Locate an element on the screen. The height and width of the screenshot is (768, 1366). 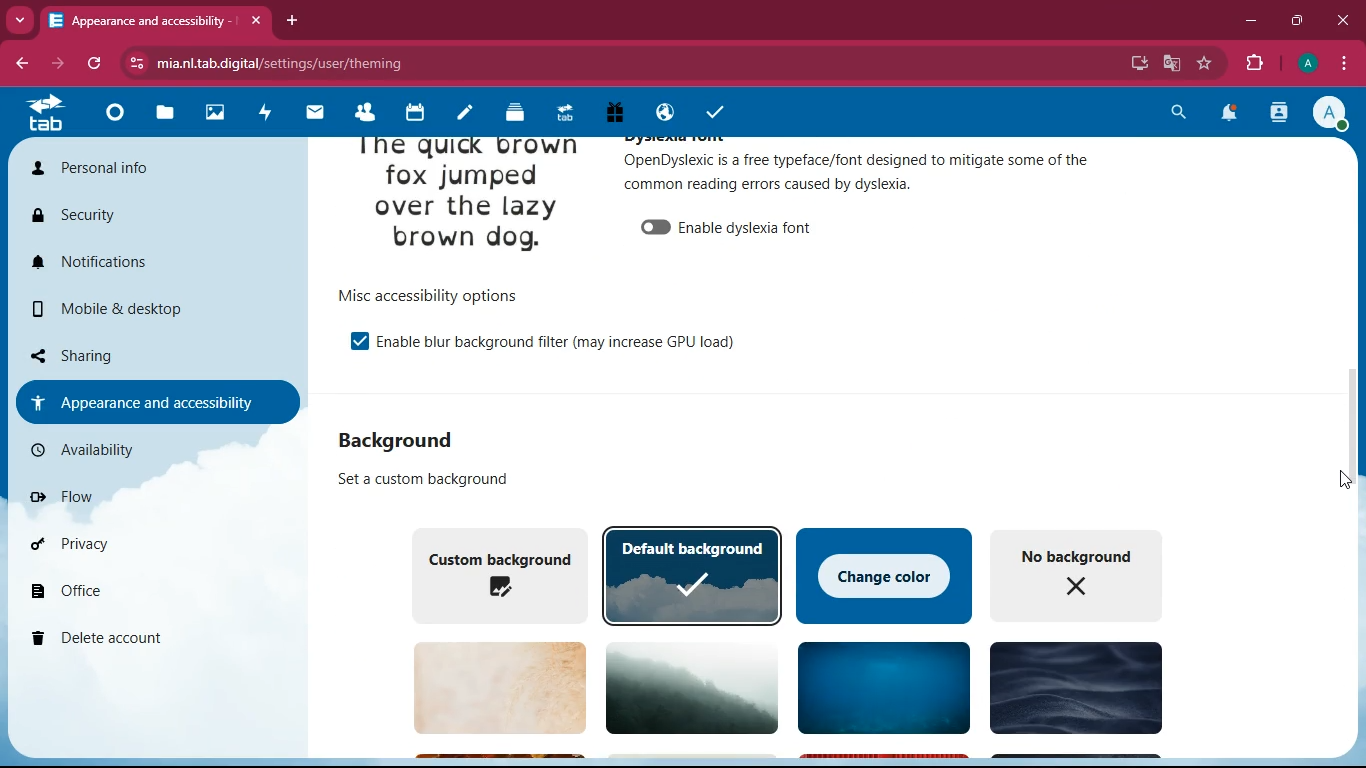
tab is located at coordinates (156, 20).